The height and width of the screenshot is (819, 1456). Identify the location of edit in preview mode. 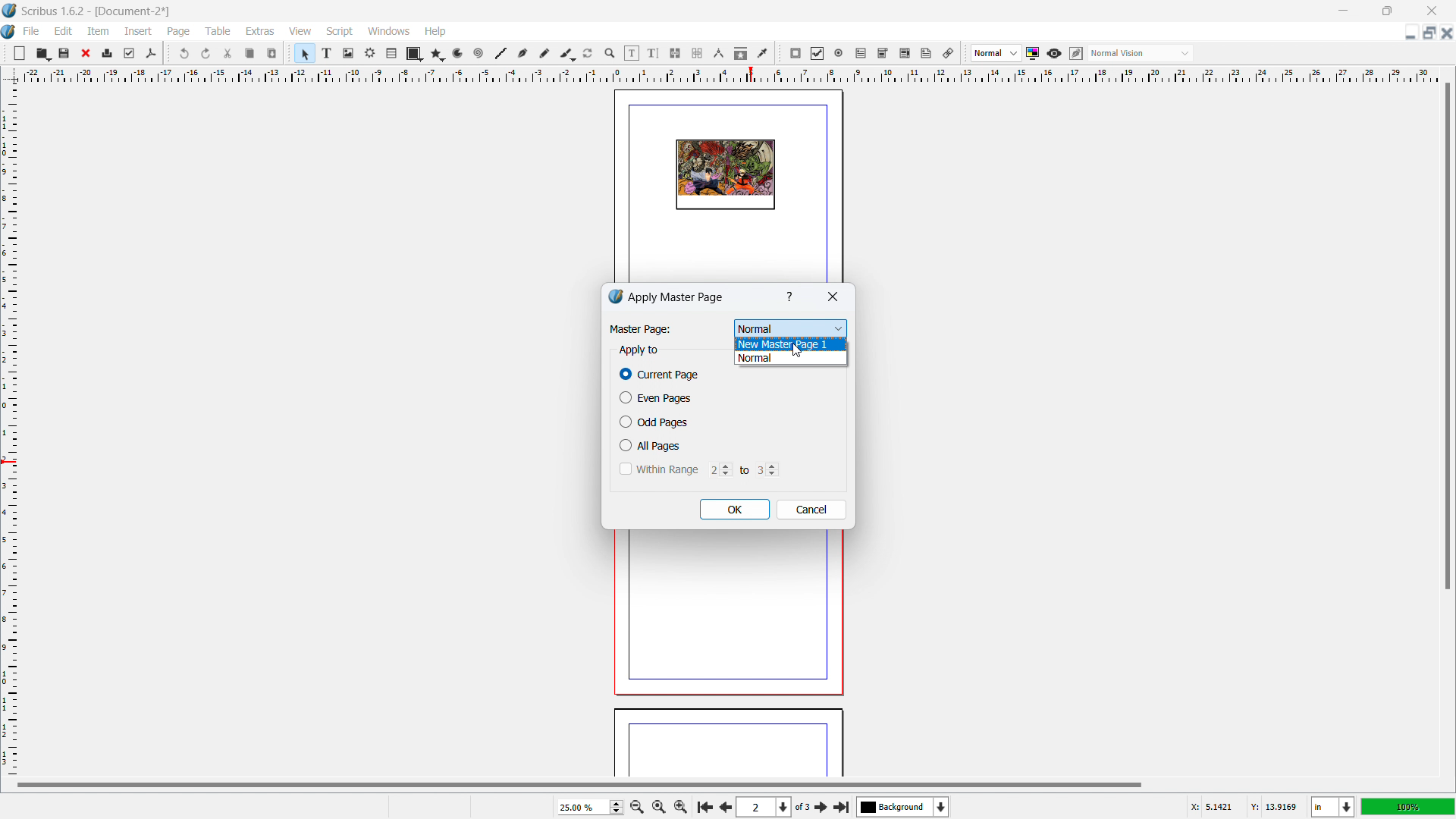
(1075, 54).